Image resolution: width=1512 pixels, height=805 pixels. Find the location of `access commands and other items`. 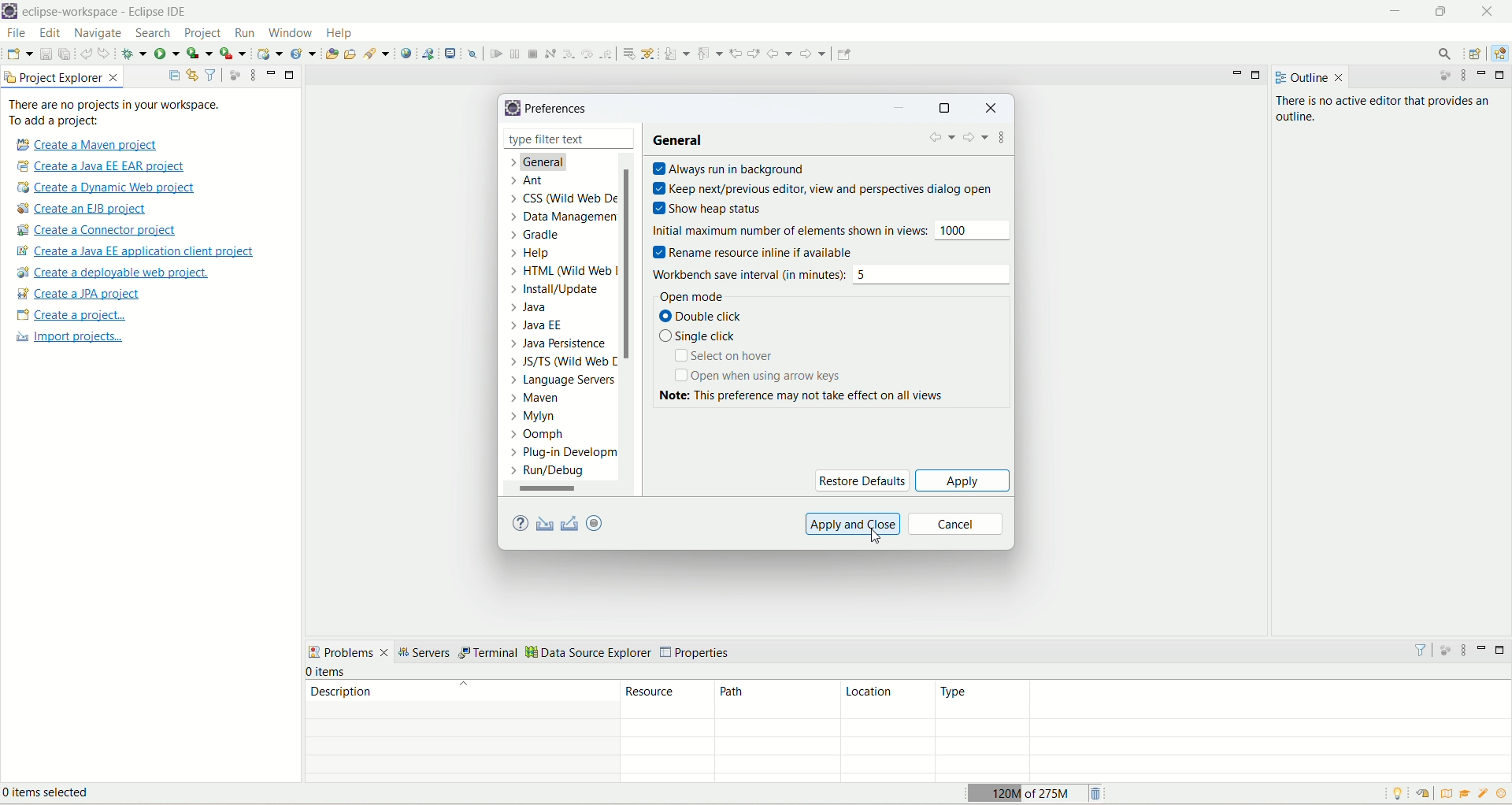

access commands and other items is located at coordinates (1443, 54).